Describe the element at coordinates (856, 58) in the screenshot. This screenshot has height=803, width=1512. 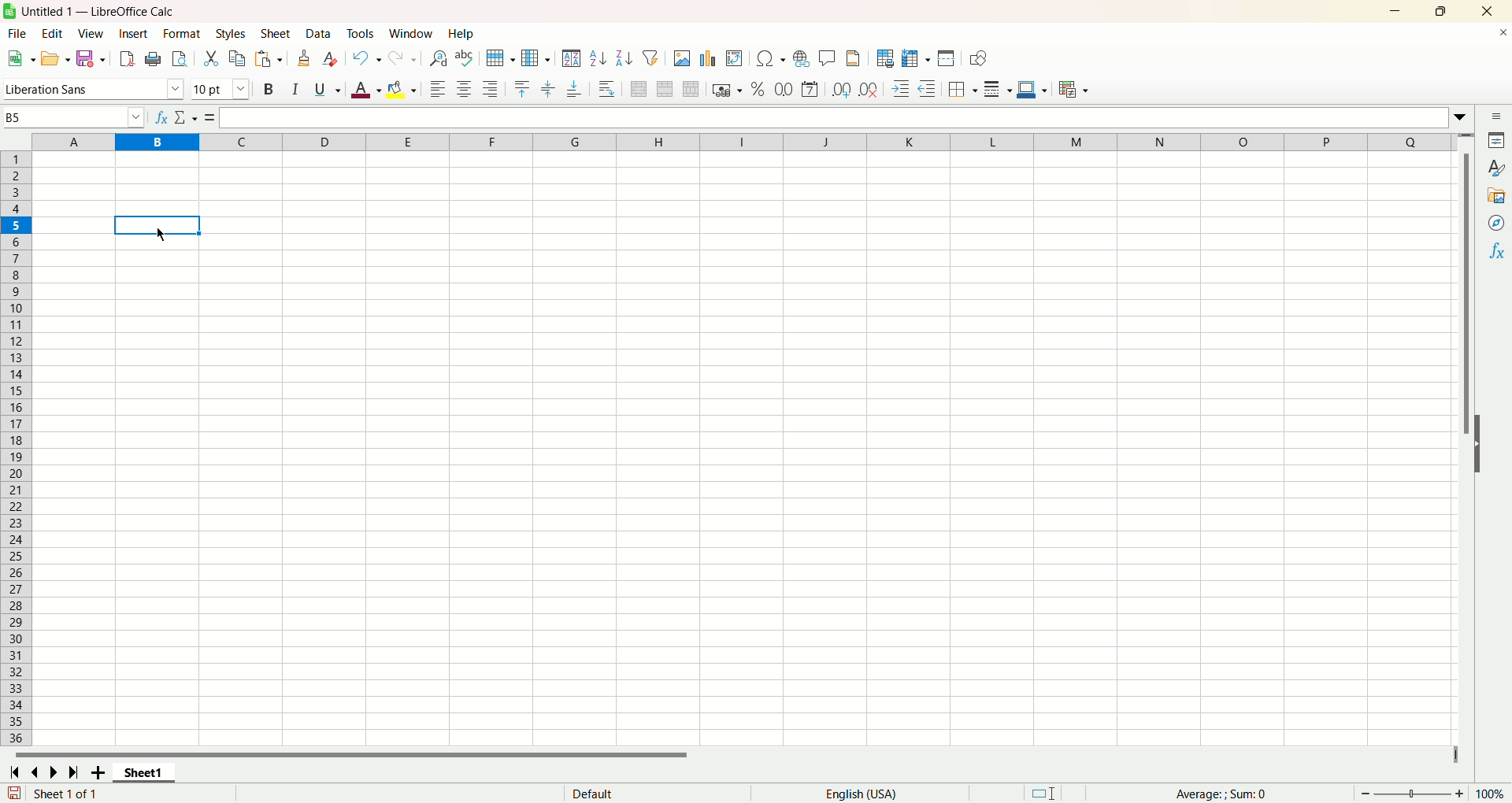
I see `headers and footers` at that location.